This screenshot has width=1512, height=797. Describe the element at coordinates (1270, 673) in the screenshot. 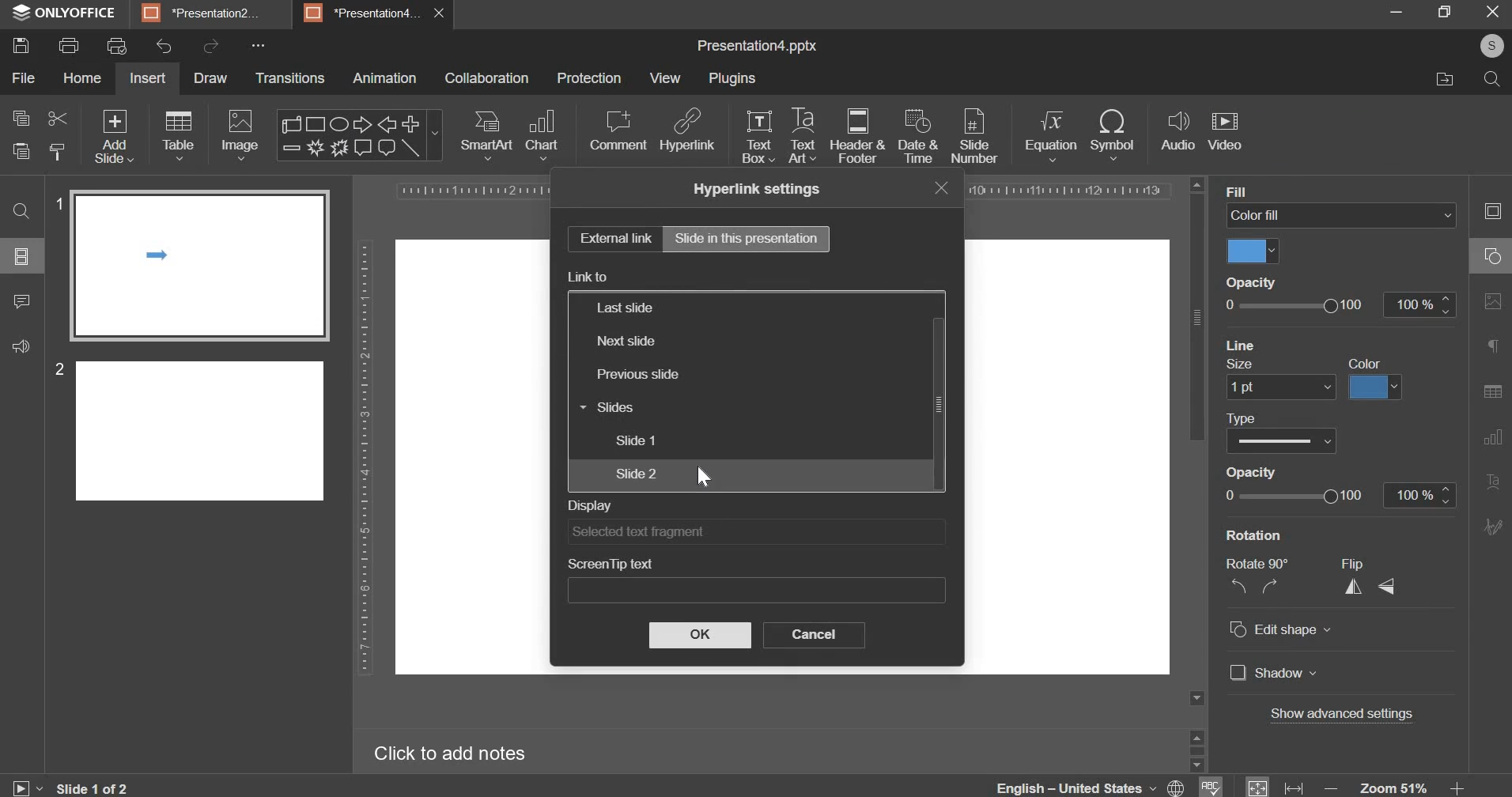

I see `] Shadow` at that location.